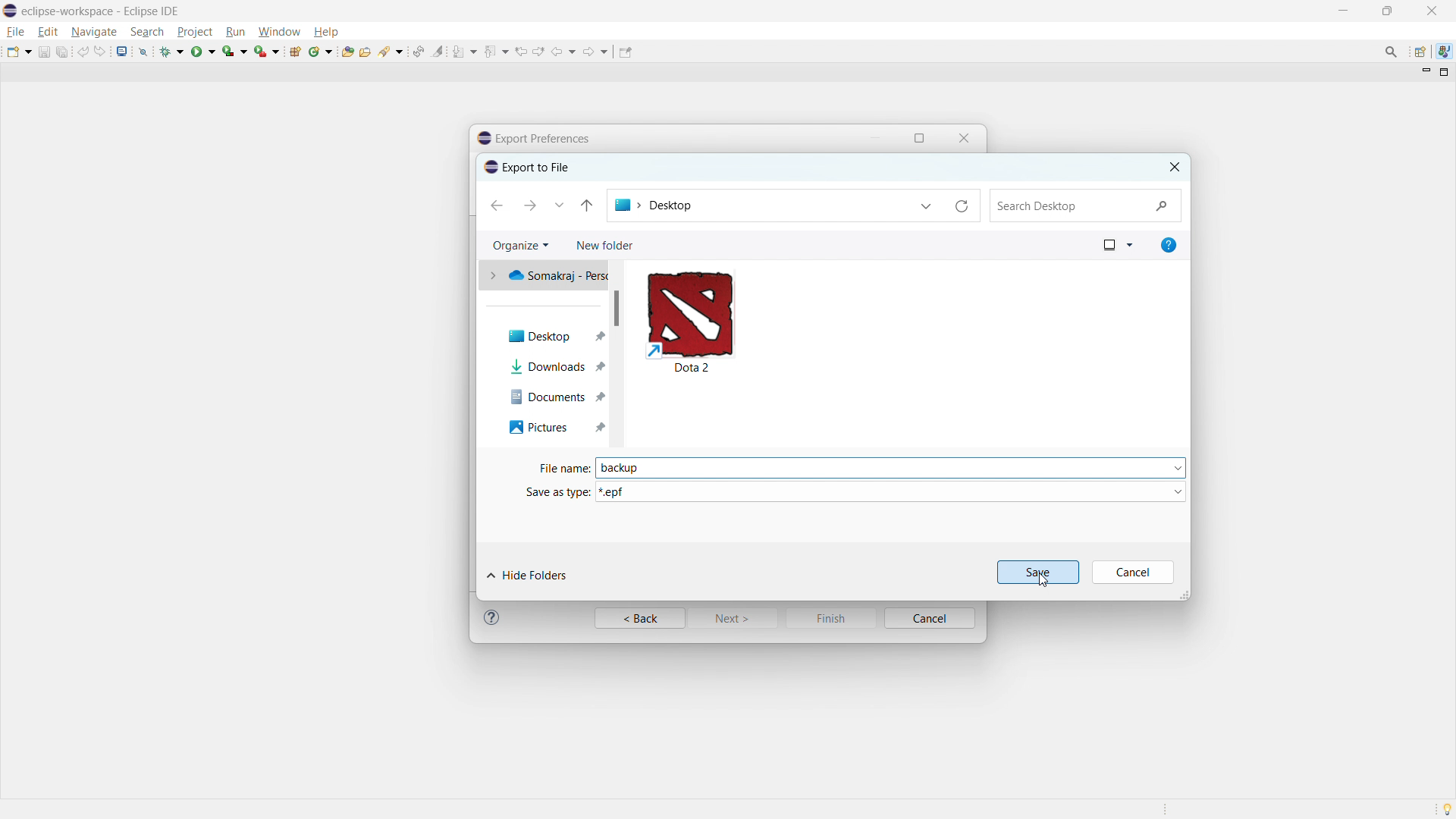 The width and height of the screenshot is (1456, 819). I want to click on save, so click(43, 52).